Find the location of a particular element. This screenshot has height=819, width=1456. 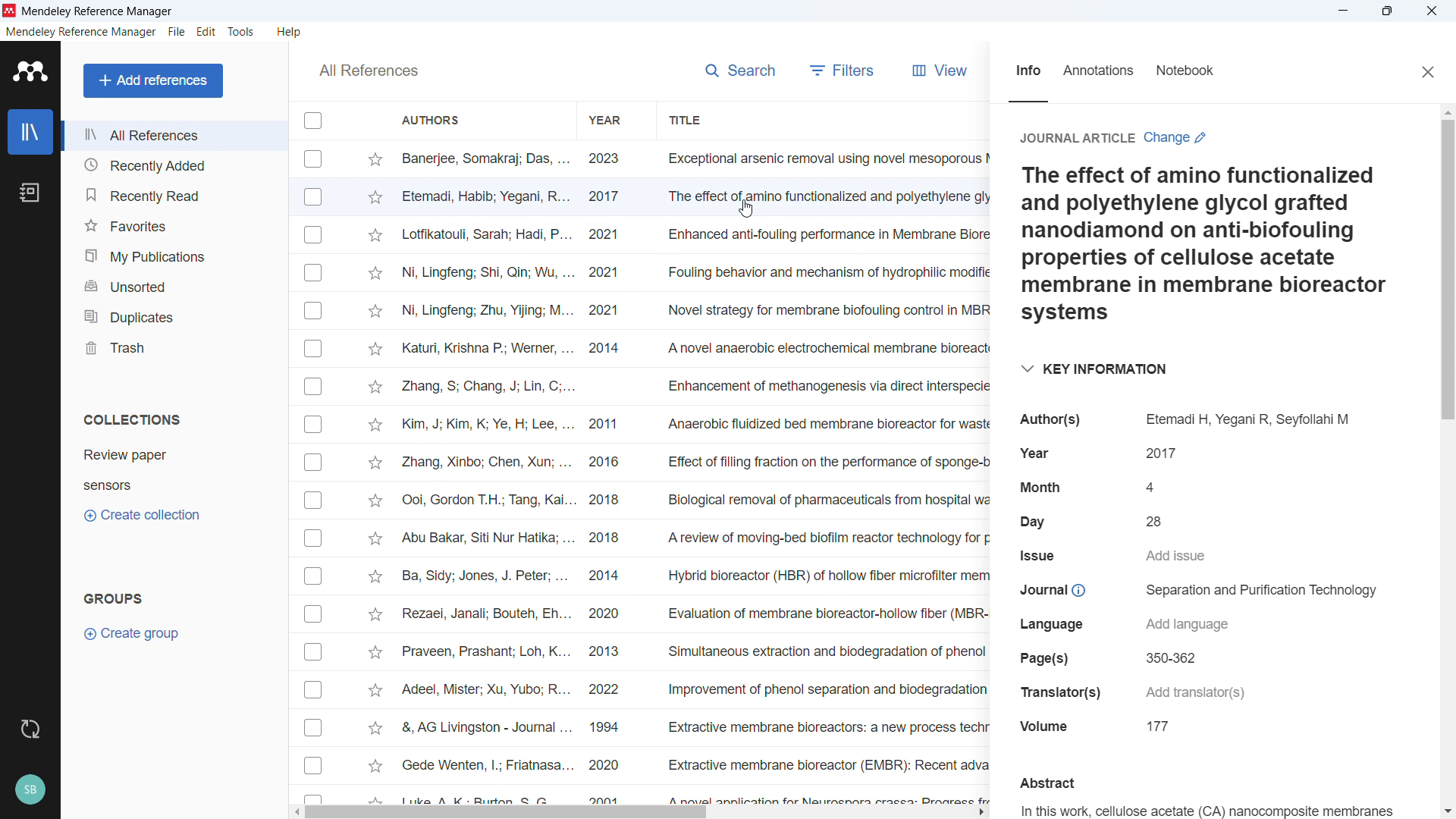

all references is located at coordinates (369, 71).